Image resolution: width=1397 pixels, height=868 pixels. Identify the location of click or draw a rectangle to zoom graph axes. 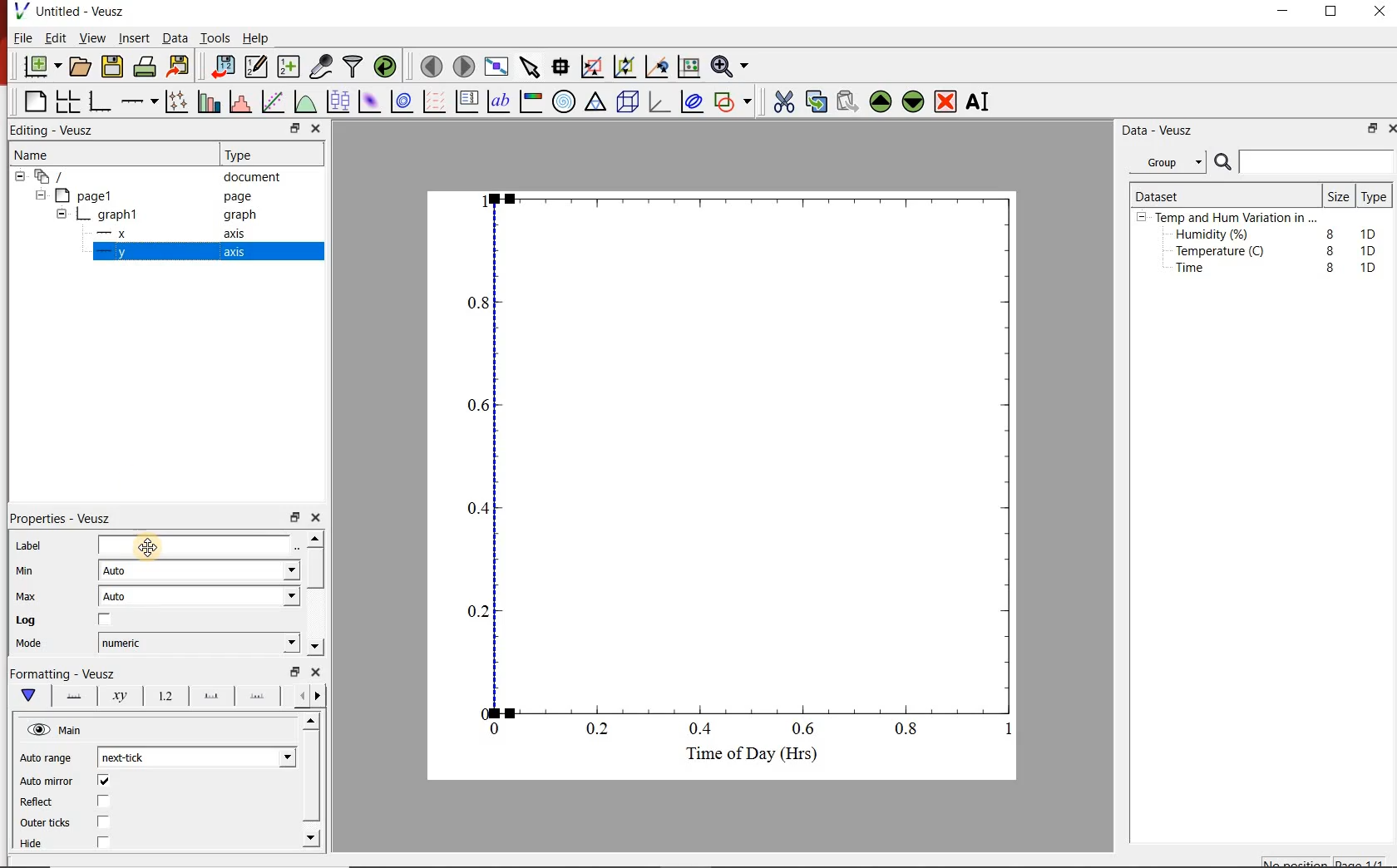
(595, 67).